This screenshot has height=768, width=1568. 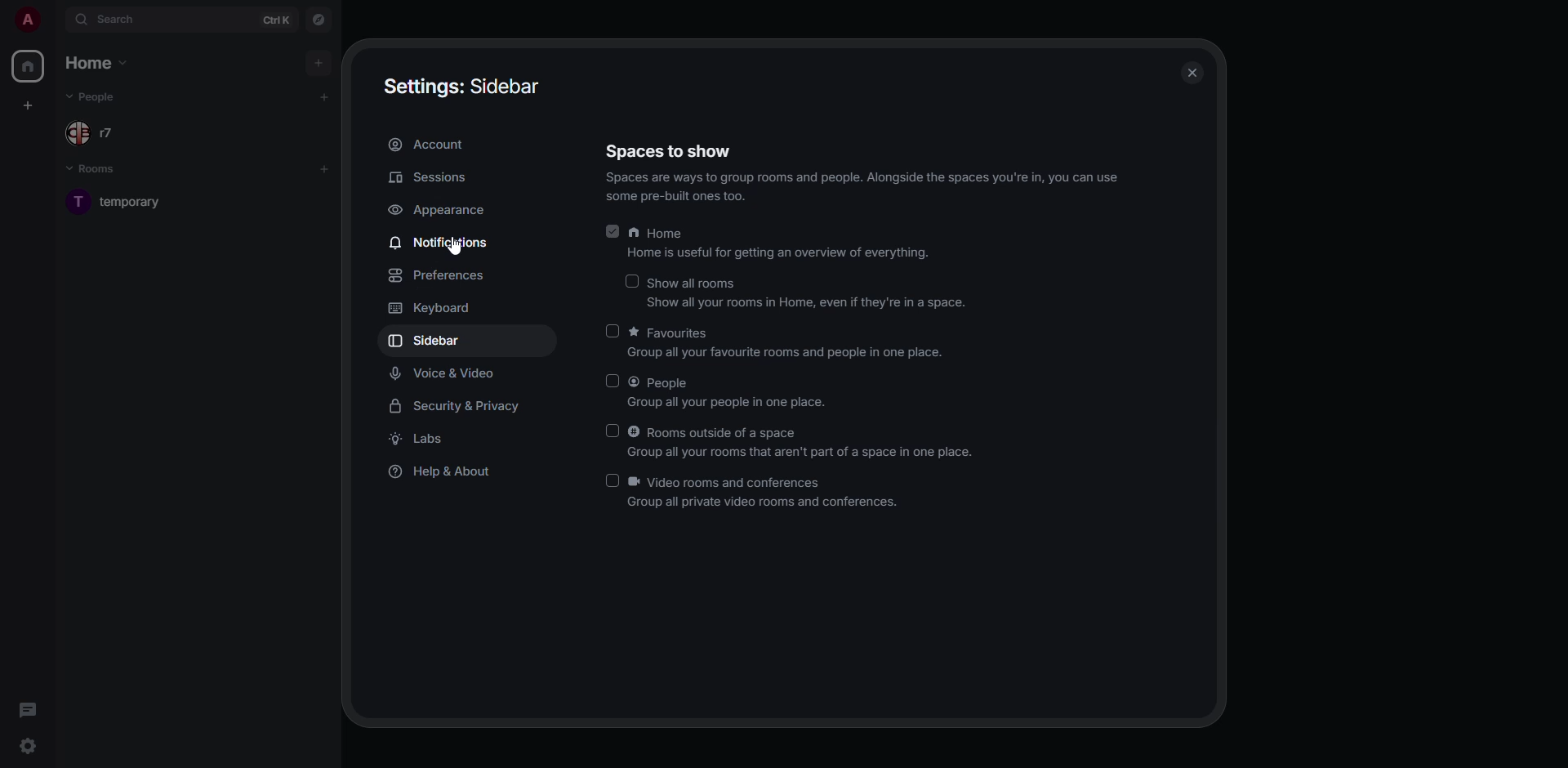 What do you see at coordinates (612, 380) in the screenshot?
I see `click to enable` at bounding box center [612, 380].